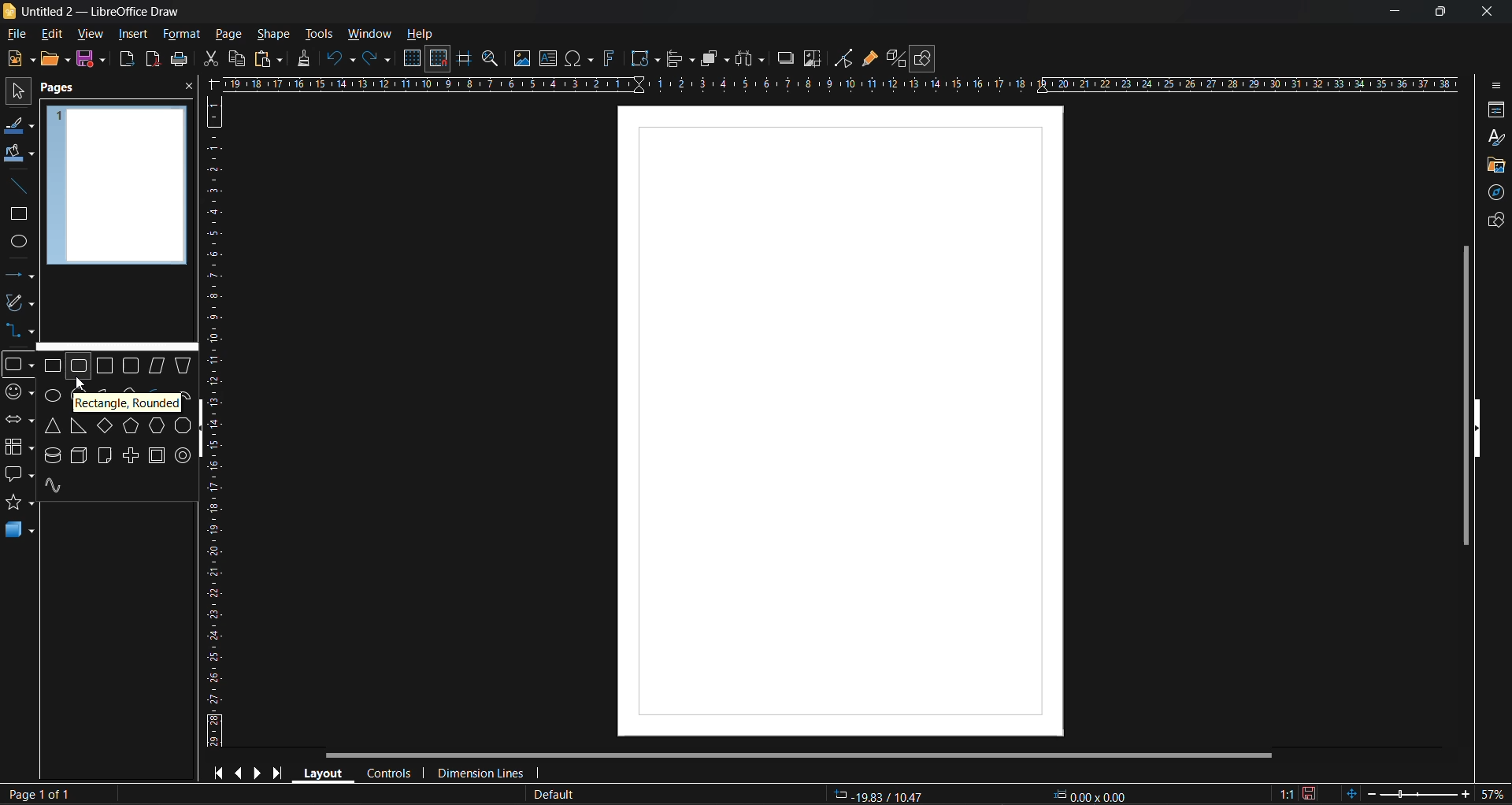  I want to click on rectangle, so click(16, 215).